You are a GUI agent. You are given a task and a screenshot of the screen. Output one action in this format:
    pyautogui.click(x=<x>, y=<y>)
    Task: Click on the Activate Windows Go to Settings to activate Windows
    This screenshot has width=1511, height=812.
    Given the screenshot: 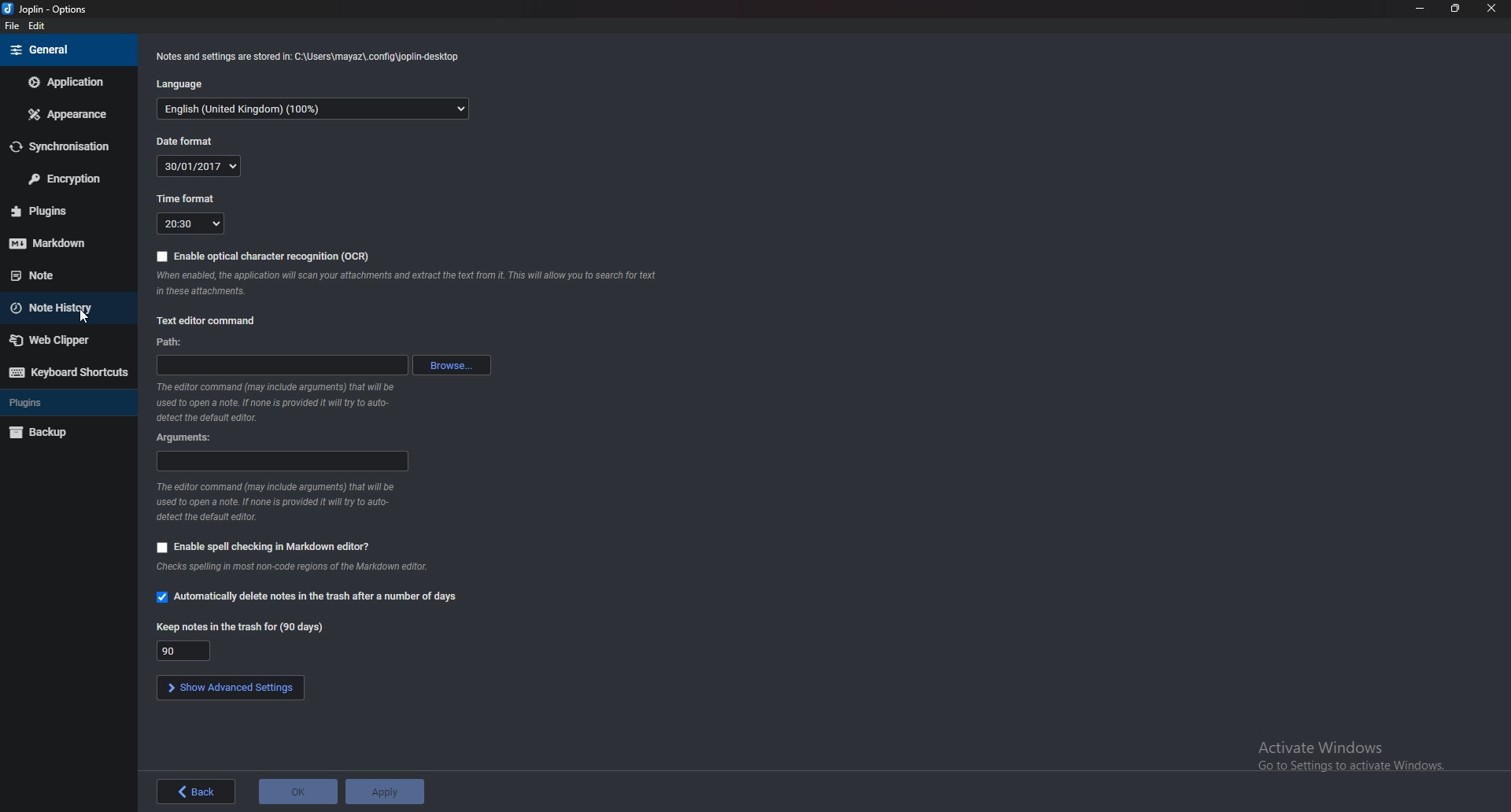 What is the action you would take?
    pyautogui.click(x=1353, y=758)
    